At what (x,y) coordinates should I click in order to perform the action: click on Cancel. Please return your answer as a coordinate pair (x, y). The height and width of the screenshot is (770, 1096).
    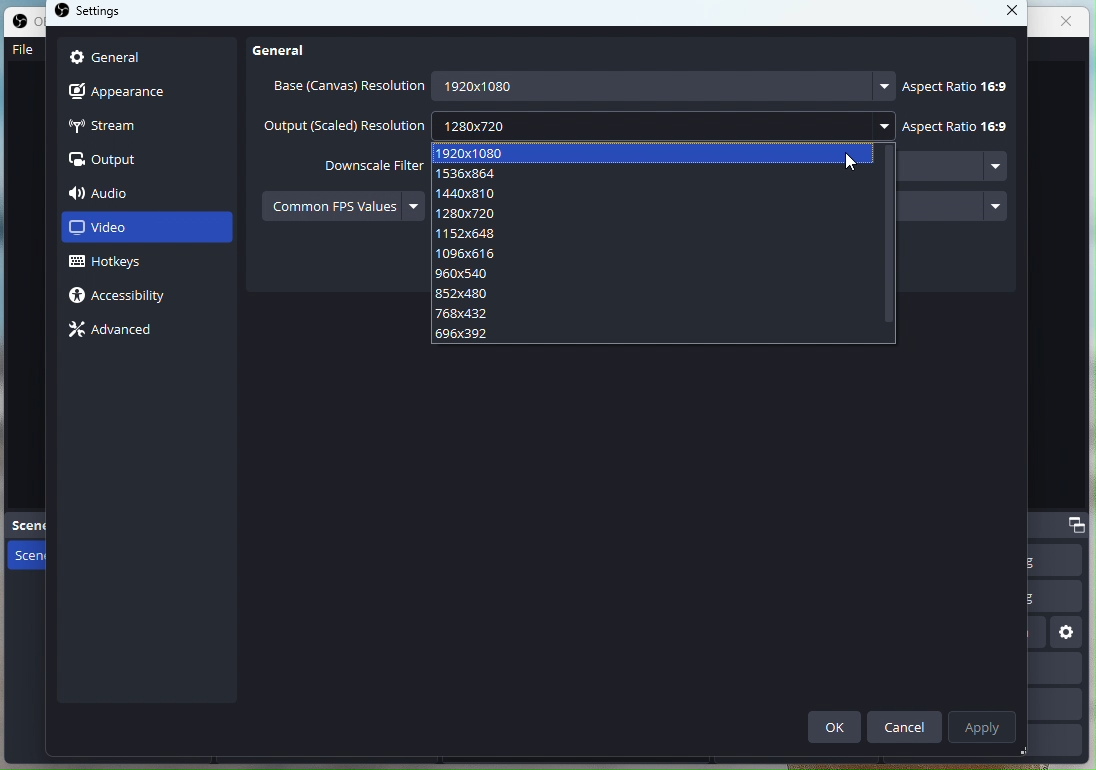
    Looking at the image, I should click on (906, 725).